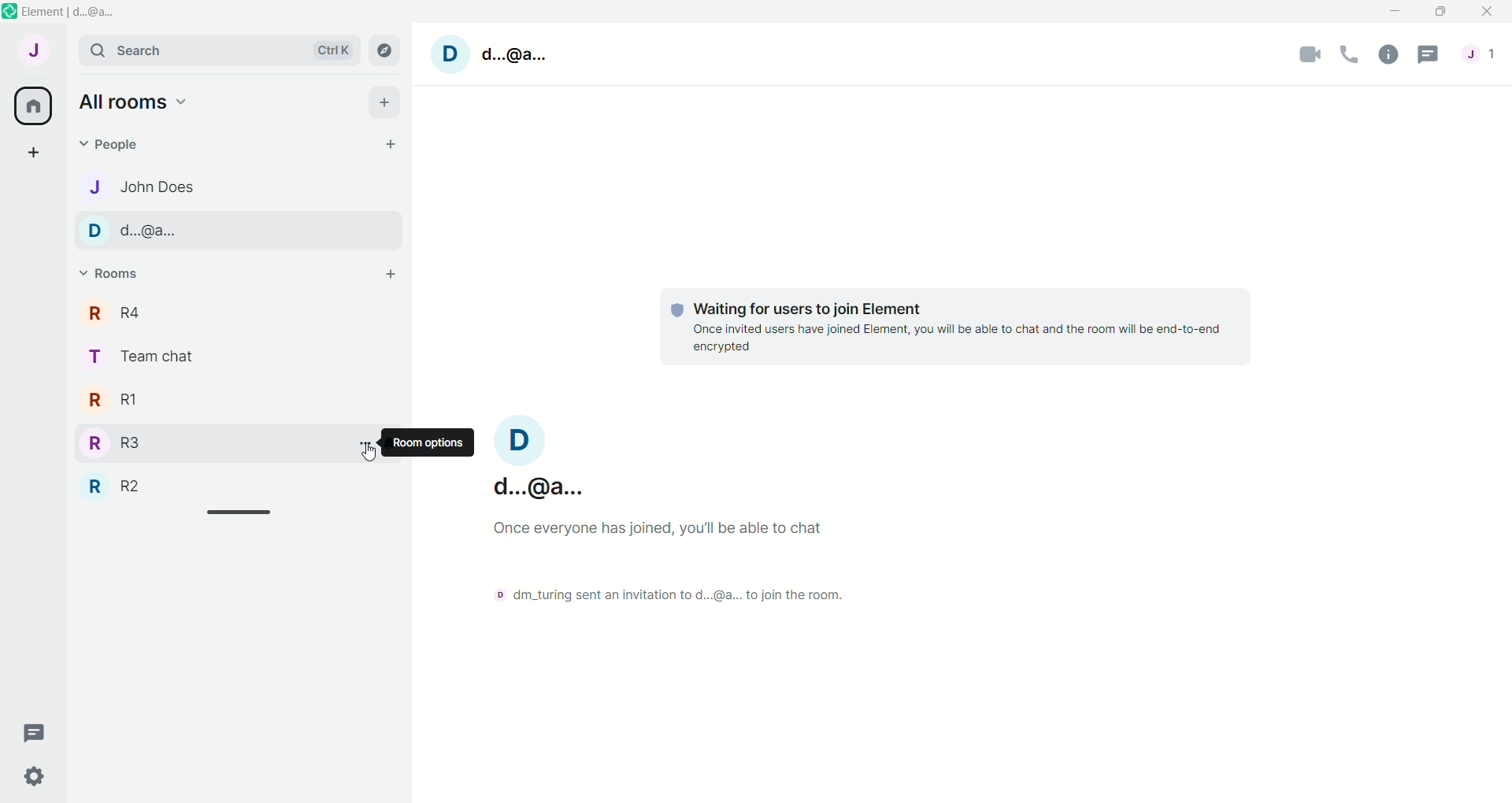 The image size is (1512, 803). Describe the element at coordinates (116, 145) in the screenshot. I see `people` at that location.